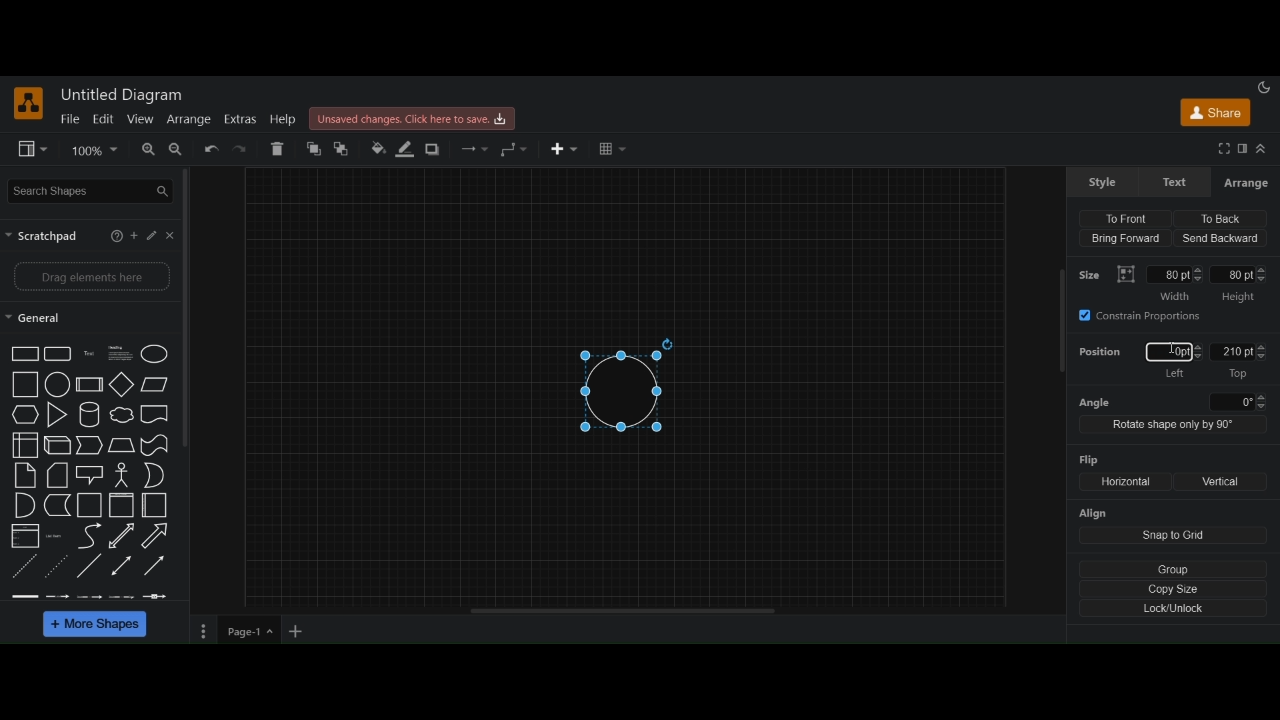  Describe the element at coordinates (58, 354) in the screenshot. I see `rectangle` at that location.